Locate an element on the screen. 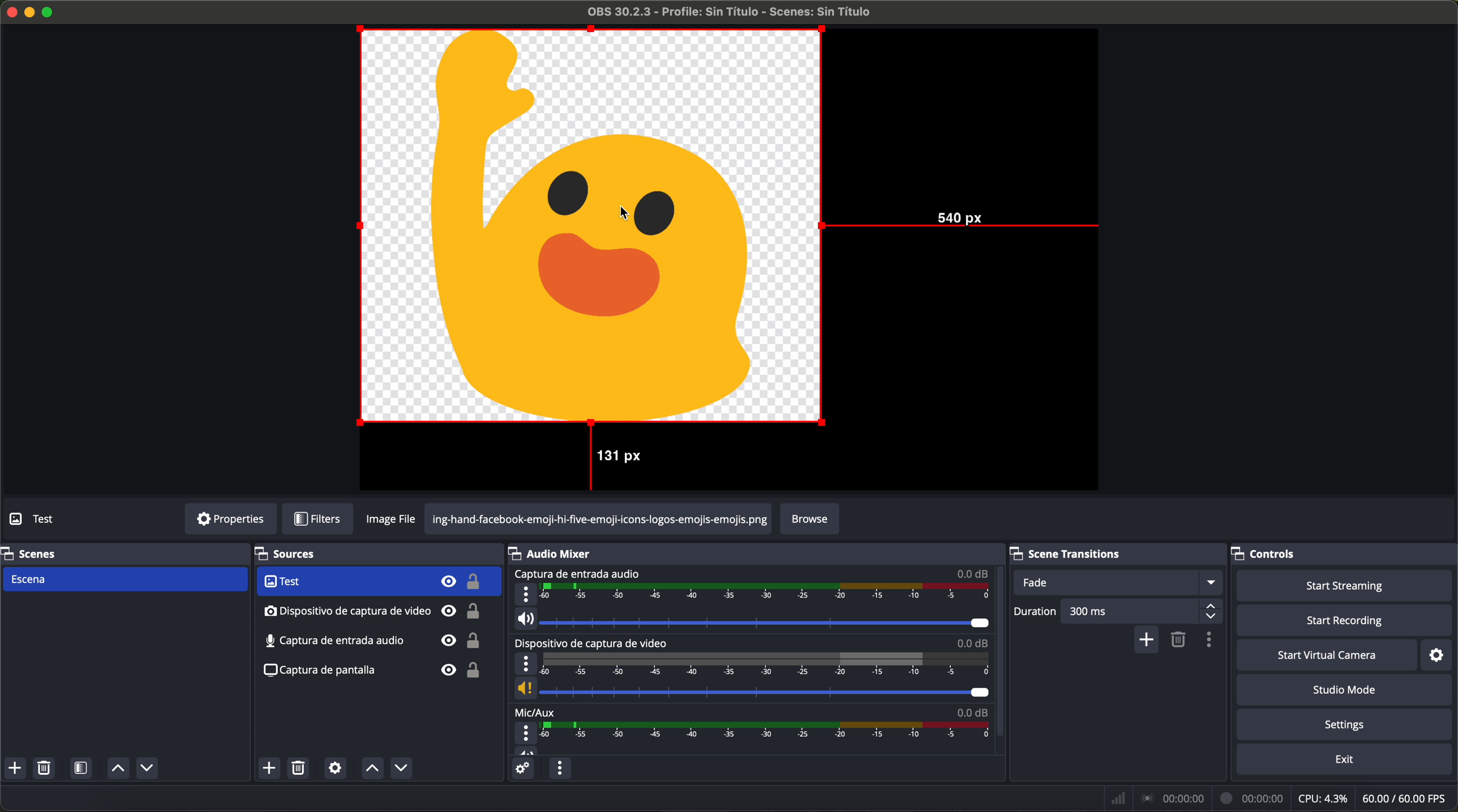 Image resolution: width=1458 pixels, height=812 pixels. audio mixer is located at coordinates (556, 553).